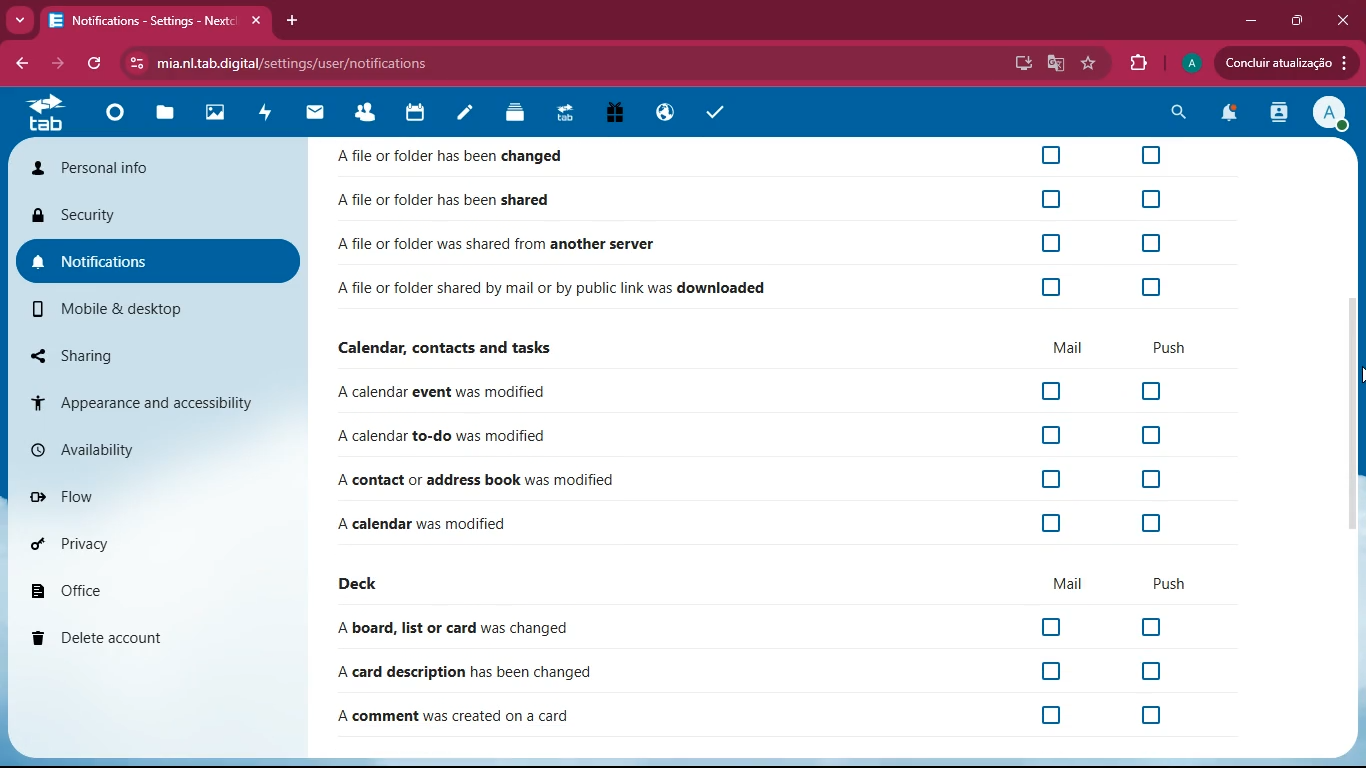 The height and width of the screenshot is (768, 1366). I want to click on tab, so click(44, 114).